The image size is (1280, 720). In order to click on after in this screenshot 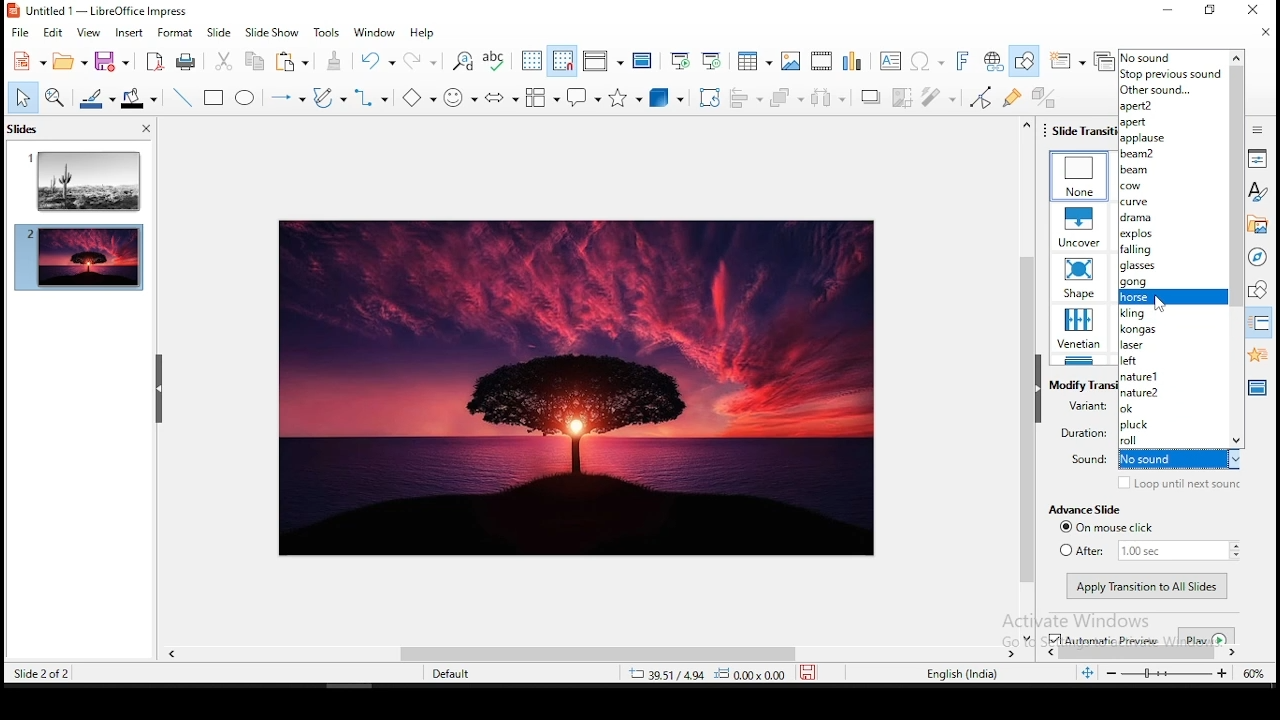, I will do `click(1148, 550)`.